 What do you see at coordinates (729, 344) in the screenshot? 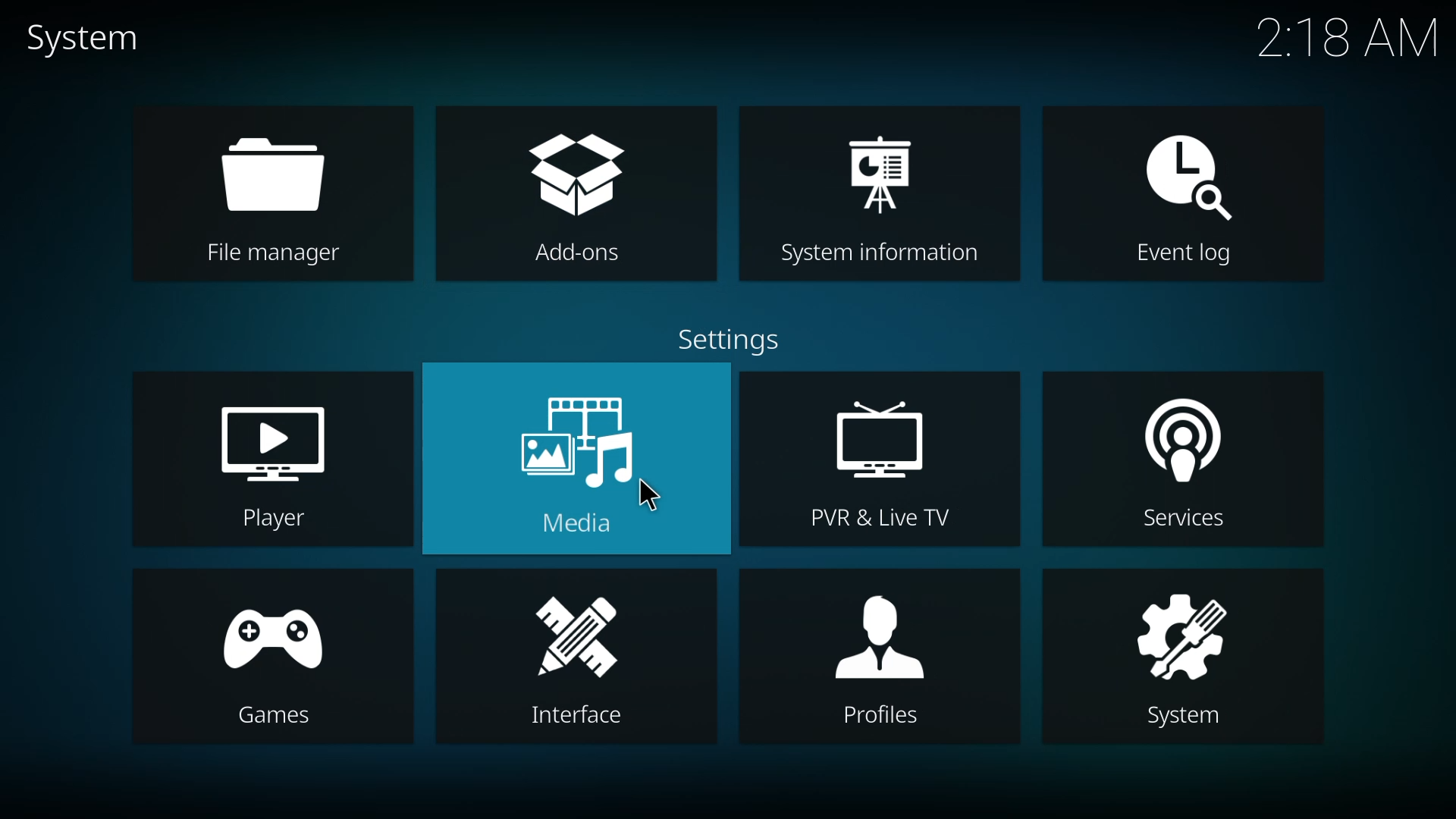
I see `settings` at bounding box center [729, 344].